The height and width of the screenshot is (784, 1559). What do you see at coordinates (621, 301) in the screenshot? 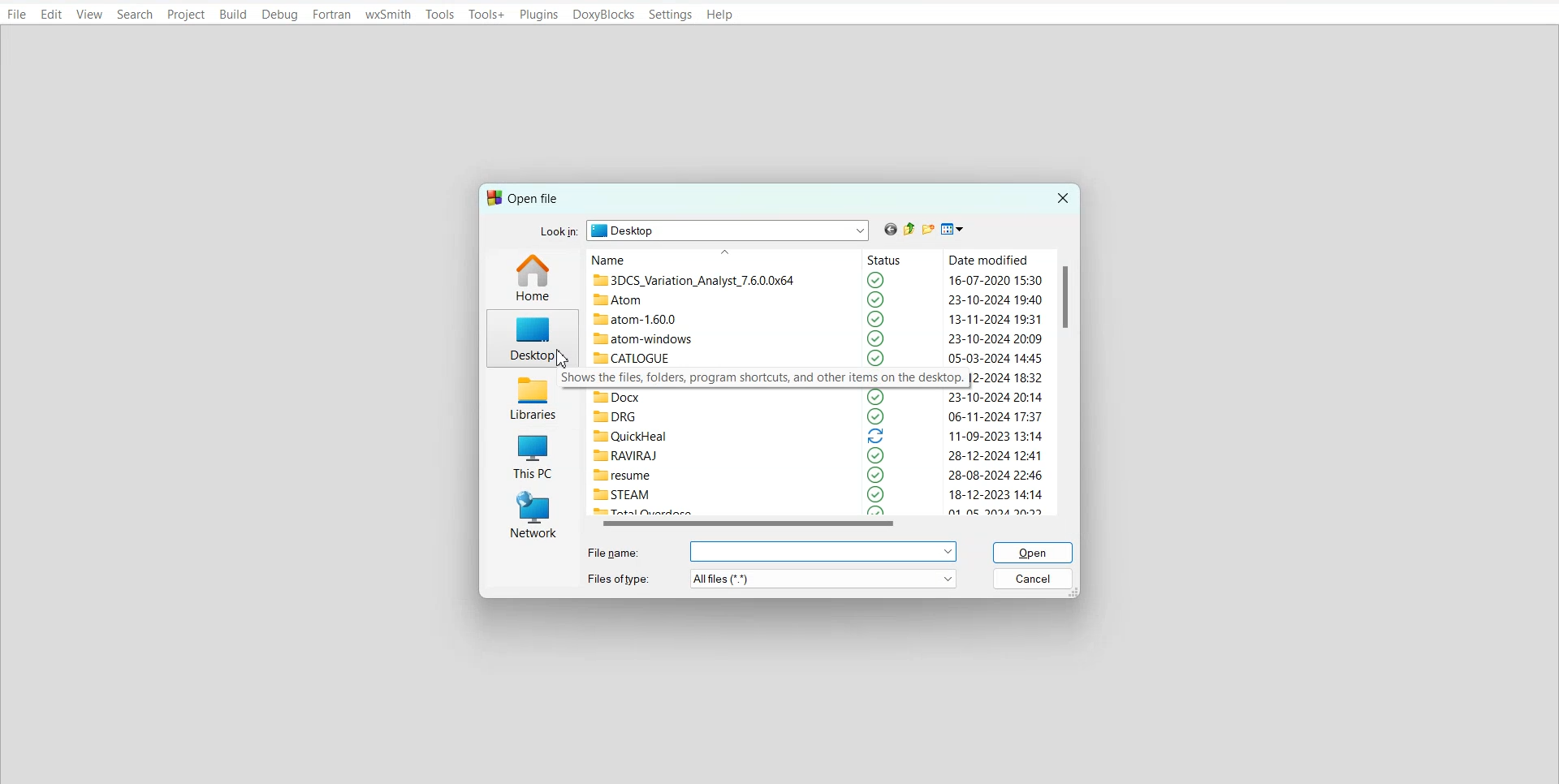
I see `Atom` at bounding box center [621, 301].